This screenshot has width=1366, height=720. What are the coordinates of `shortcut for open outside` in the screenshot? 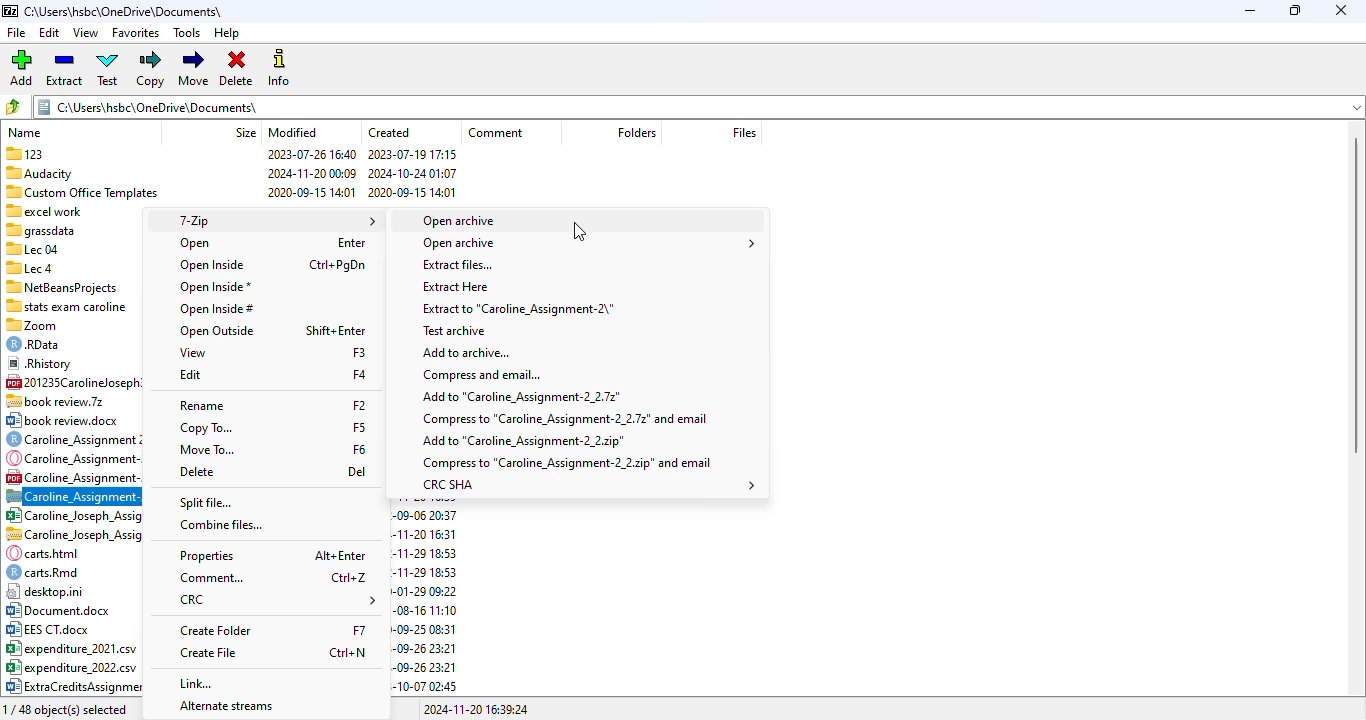 It's located at (336, 331).